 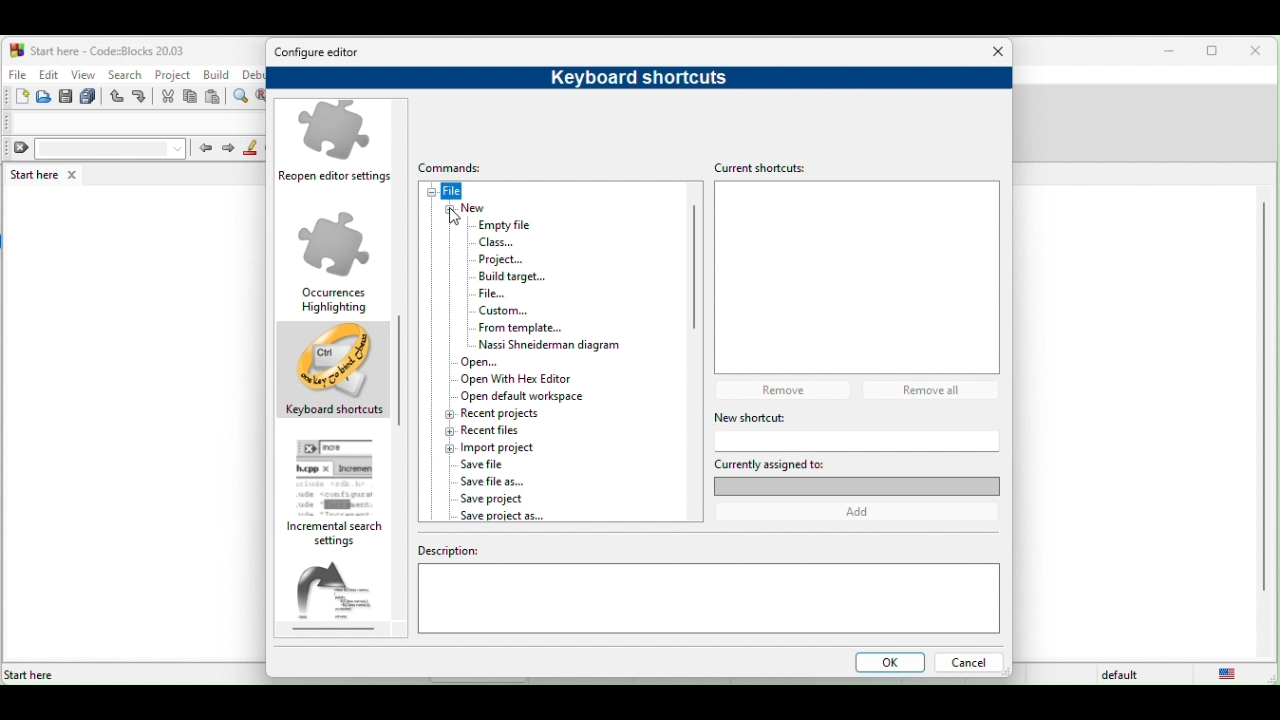 I want to click on close, so click(x=1260, y=52).